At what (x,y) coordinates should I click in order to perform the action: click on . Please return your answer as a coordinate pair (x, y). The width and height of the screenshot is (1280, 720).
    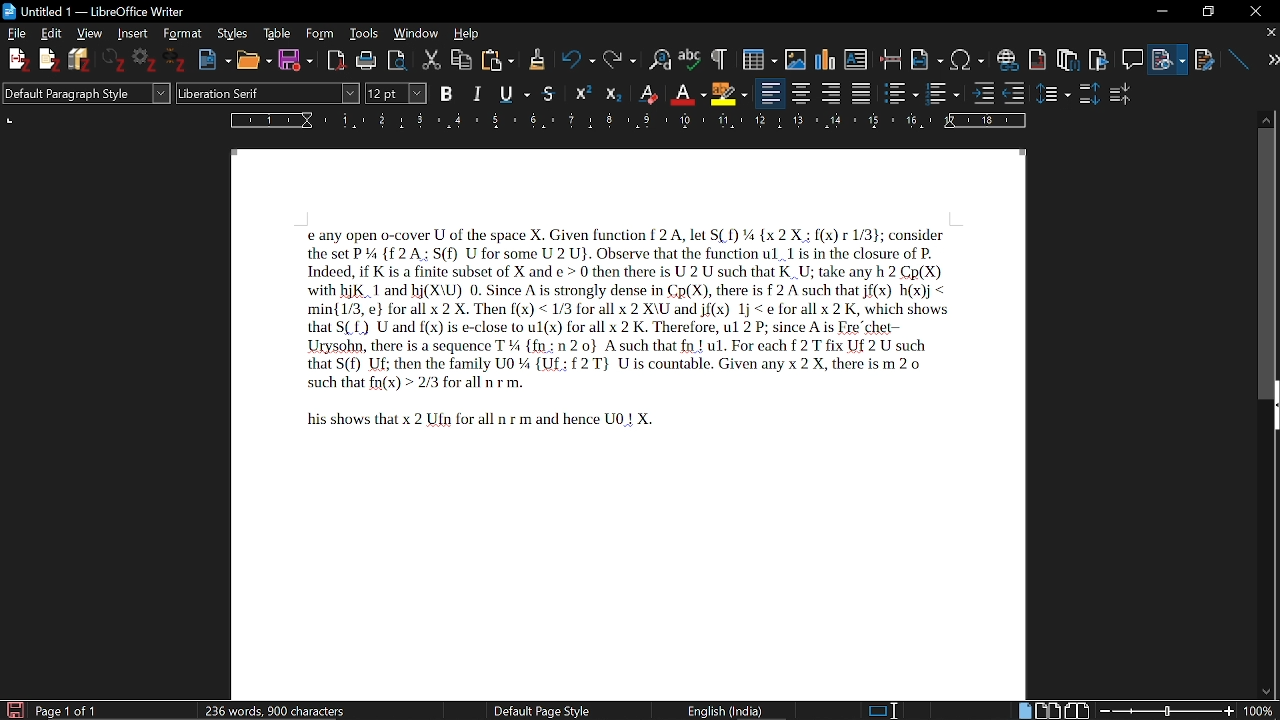
    Looking at the image, I should click on (49, 61).